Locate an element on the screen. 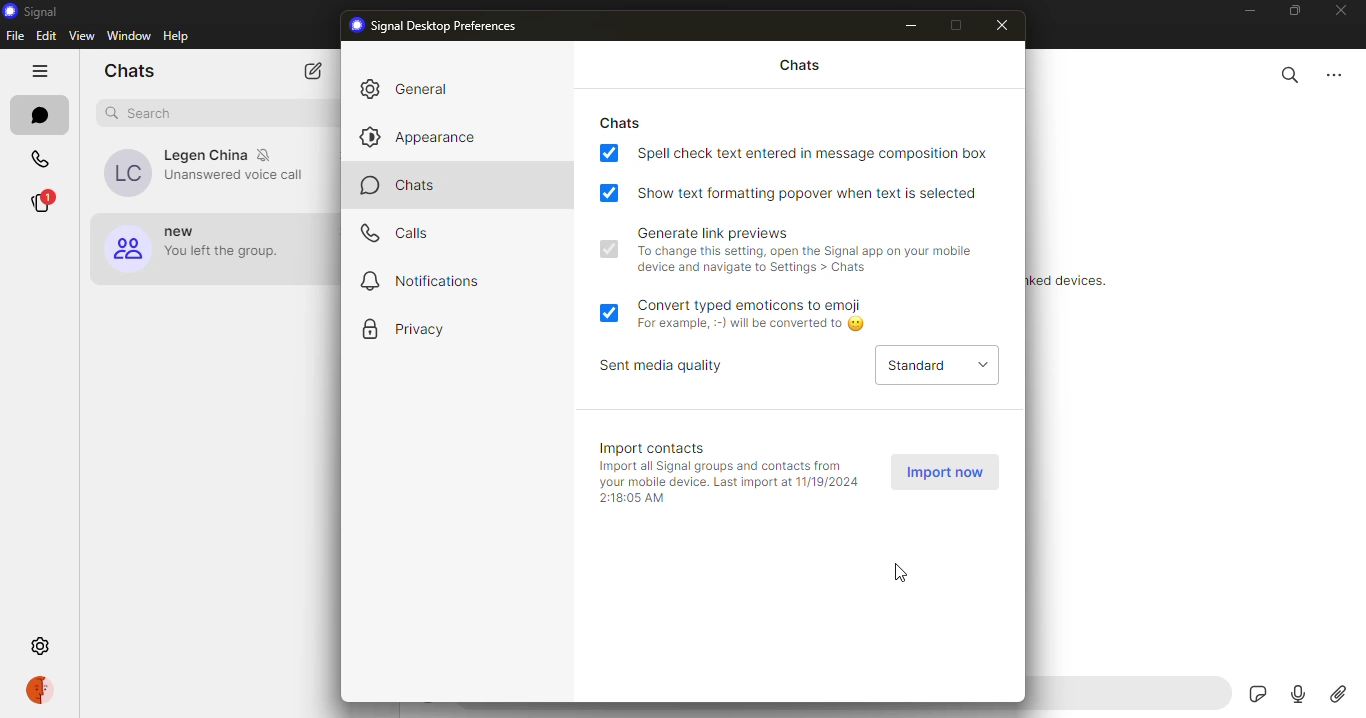 The height and width of the screenshot is (718, 1366). convert to emoji is located at coordinates (757, 306).